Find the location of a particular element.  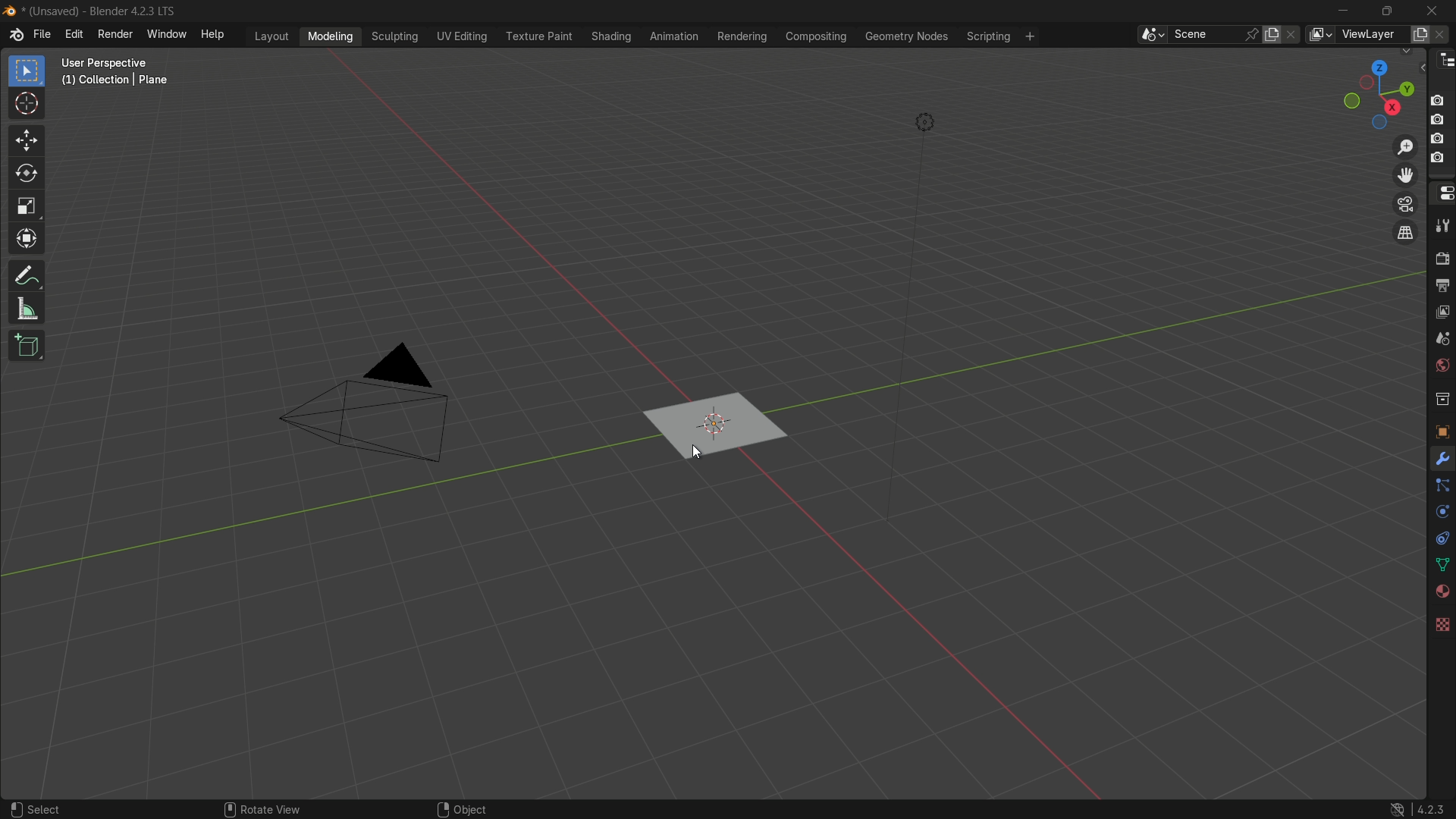

help menu is located at coordinates (214, 34).